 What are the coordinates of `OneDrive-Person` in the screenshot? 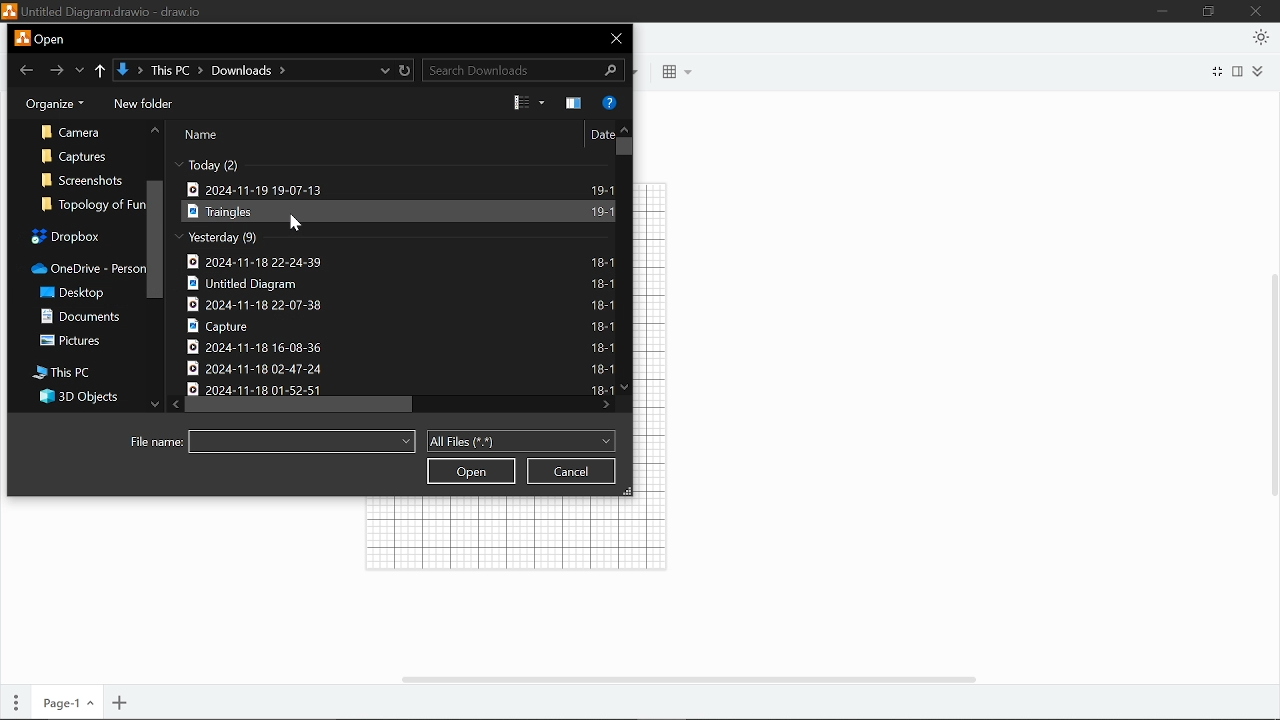 It's located at (80, 268).